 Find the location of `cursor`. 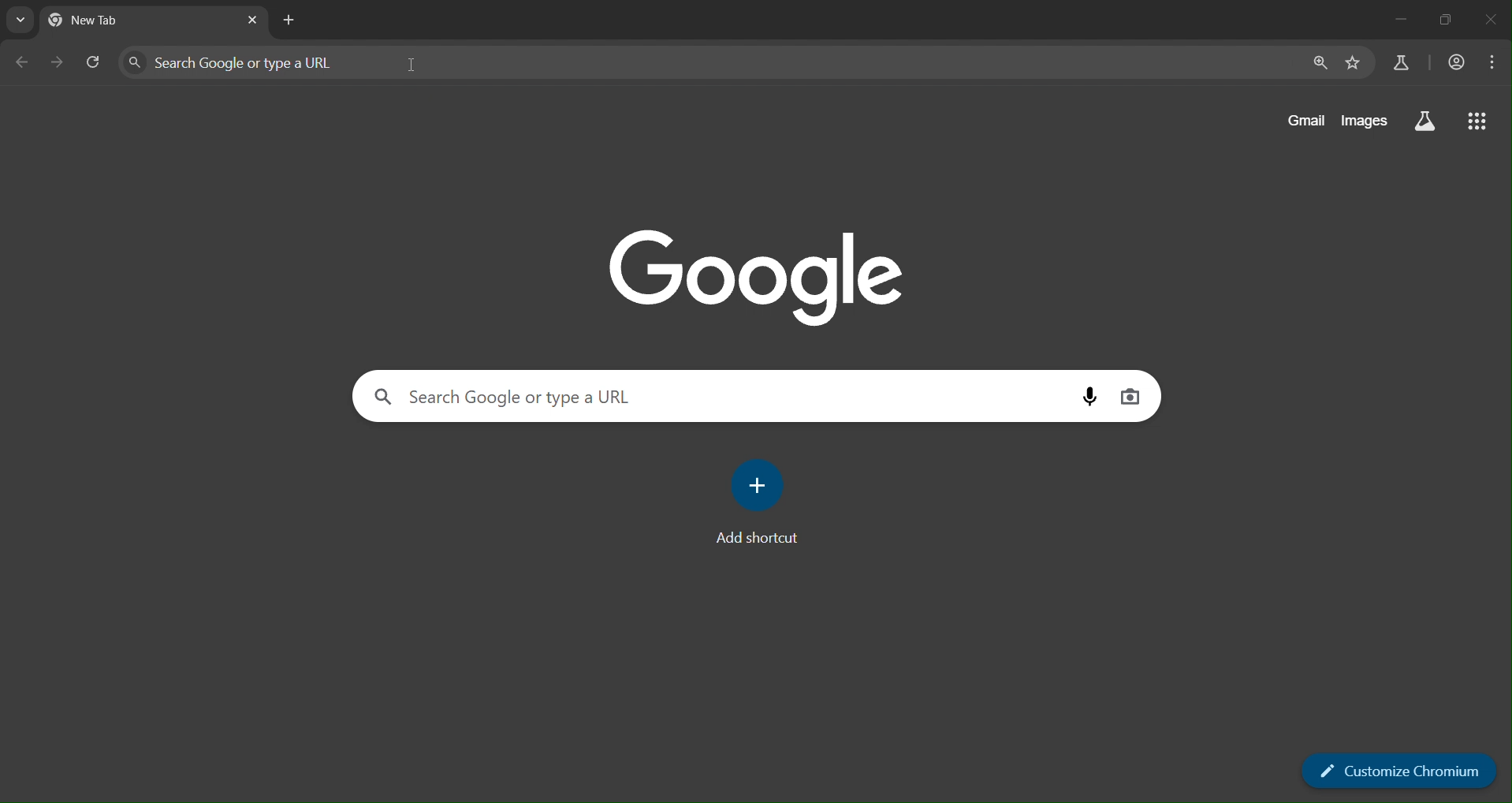

cursor is located at coordinates (414, 66).